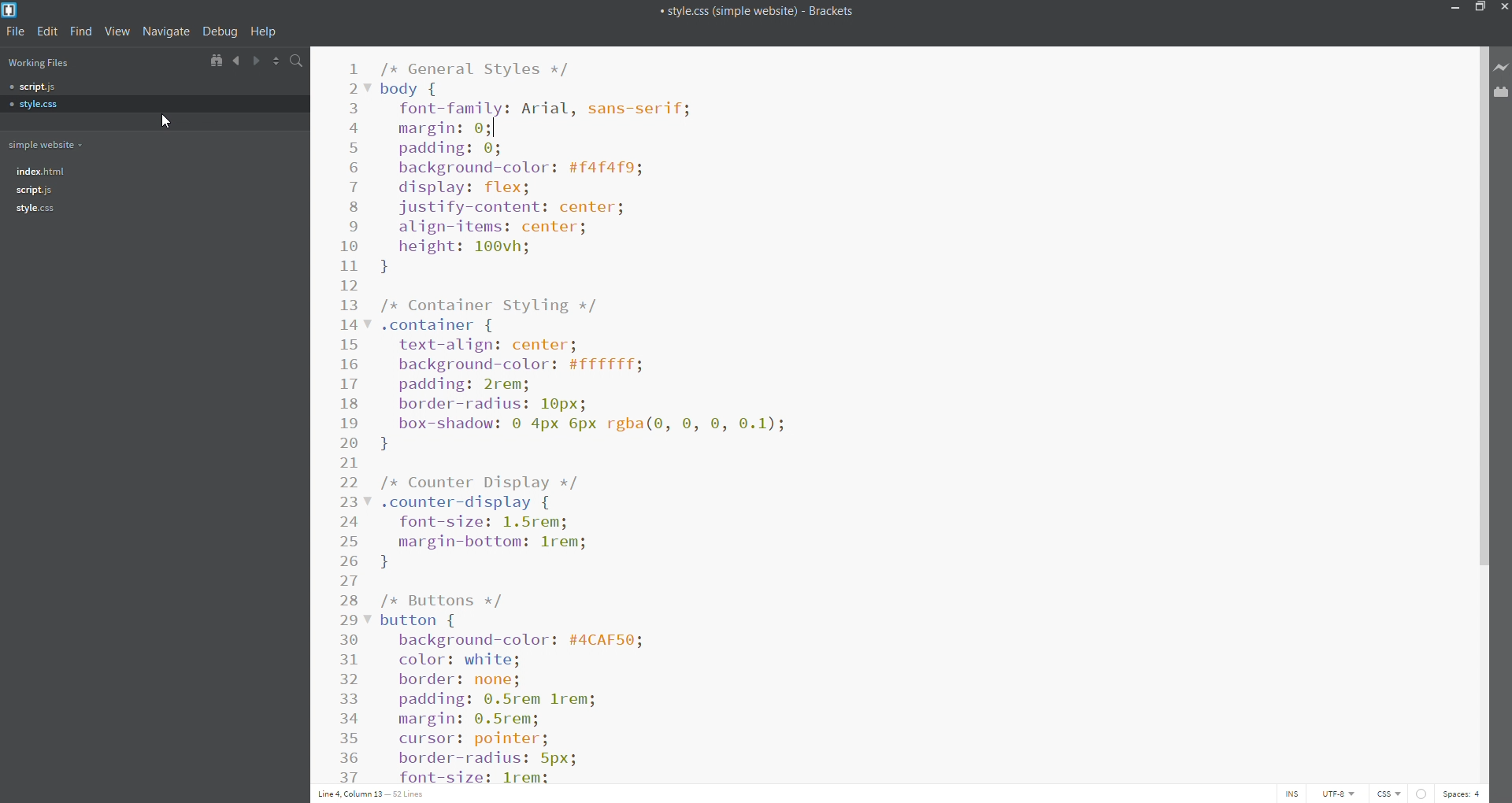  What do you see at coordinates (50, 32) in the screenshot?
I see `edit` at bounding box center [50, 32].